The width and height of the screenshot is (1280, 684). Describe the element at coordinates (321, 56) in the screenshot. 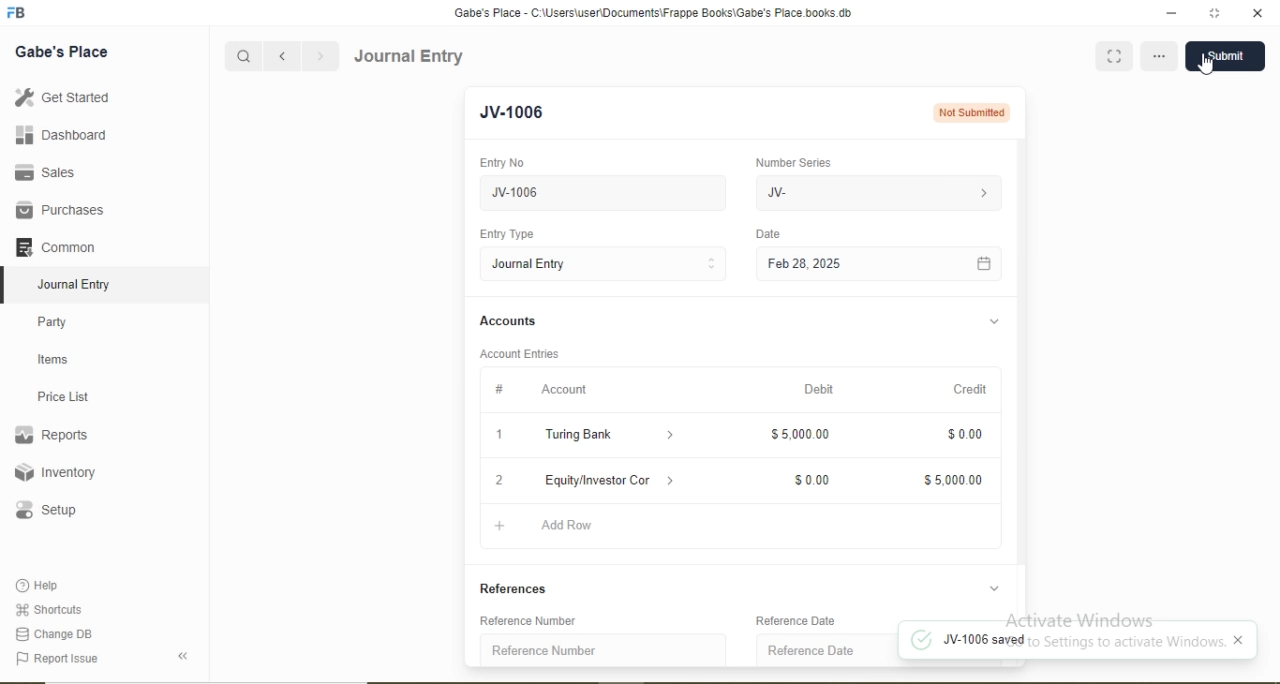

I see `Forward` at that location.